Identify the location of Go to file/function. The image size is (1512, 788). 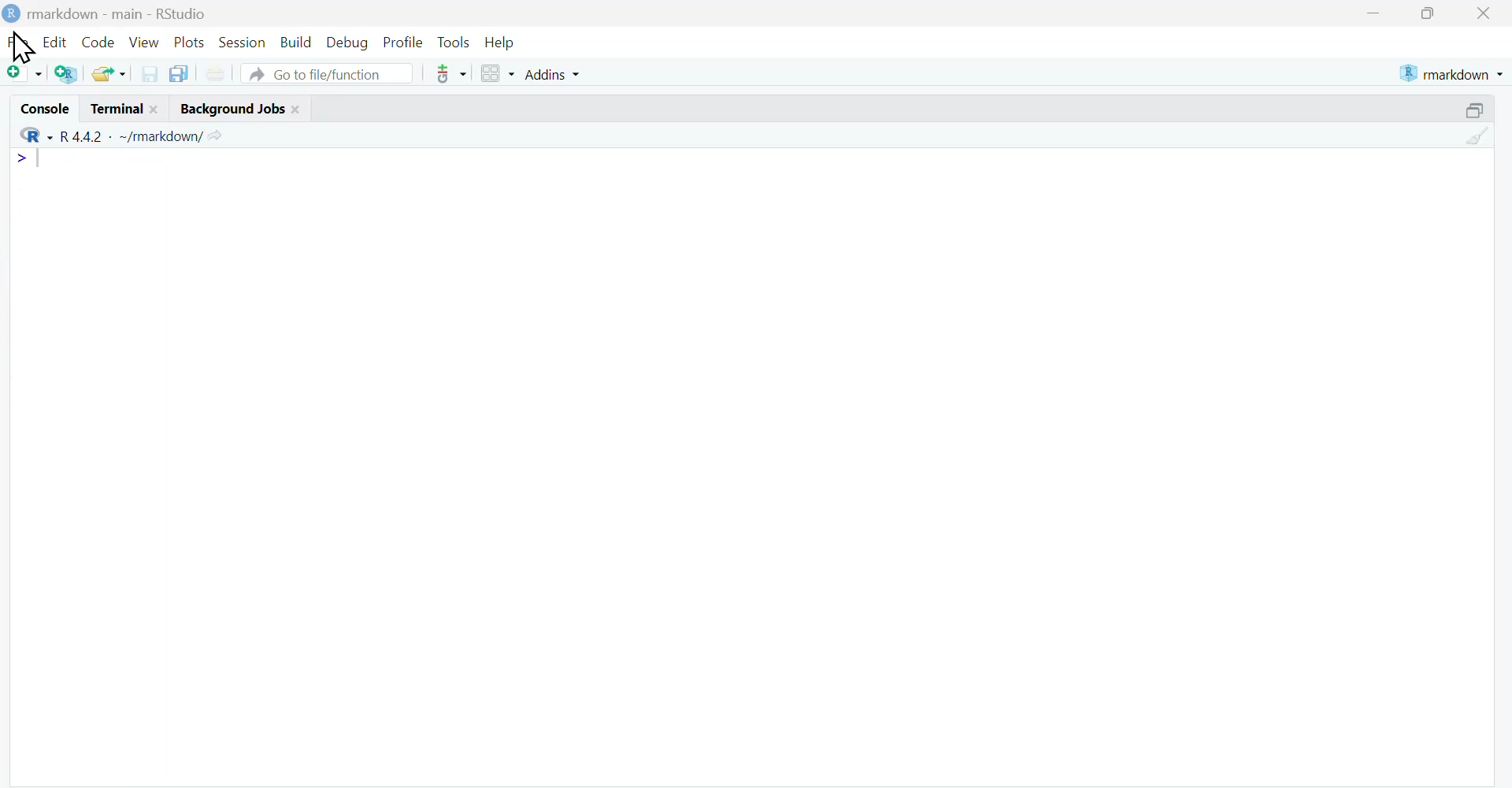
(327, 72).